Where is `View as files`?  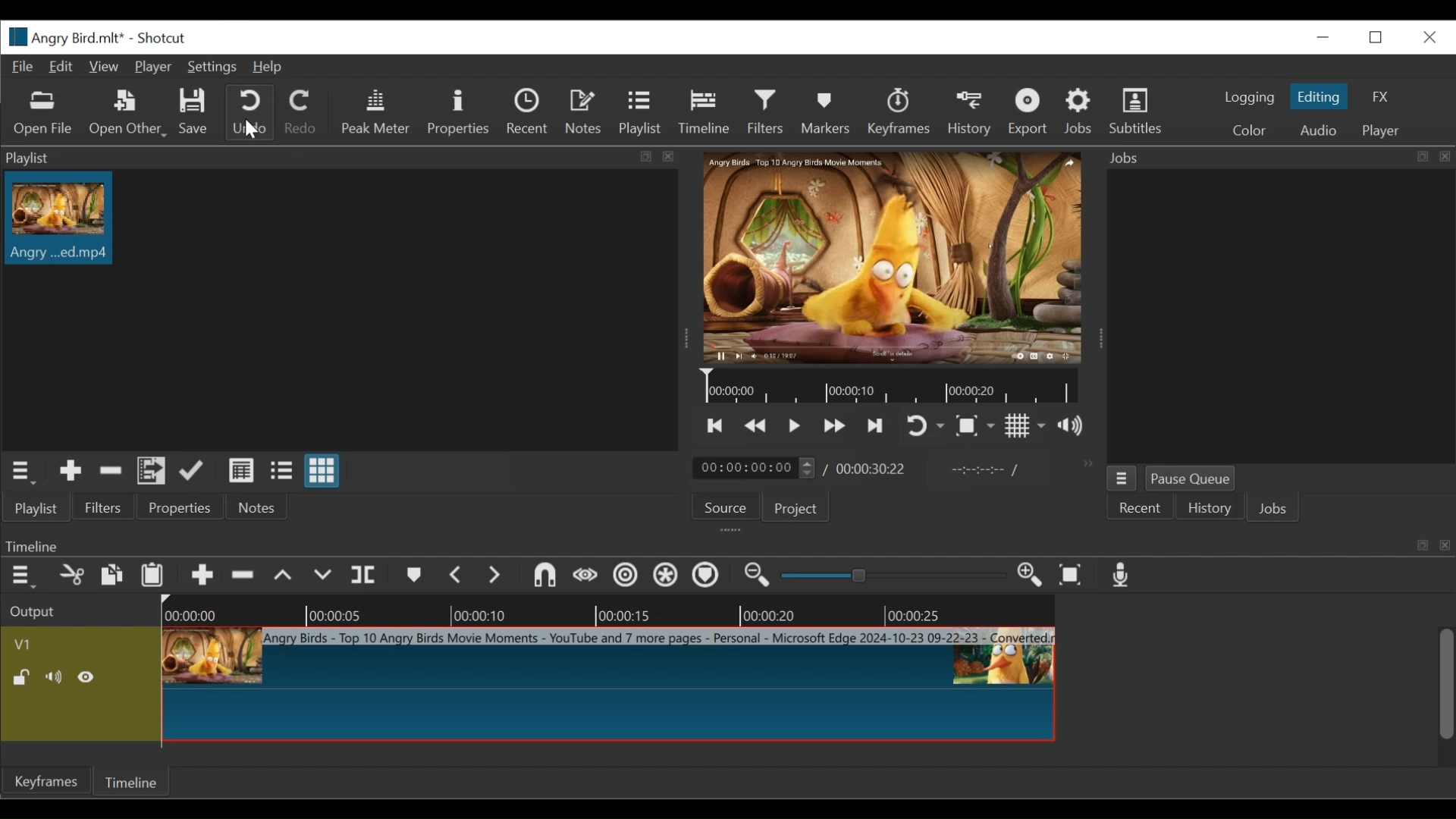 View as files is located at coordinates (281, 470).